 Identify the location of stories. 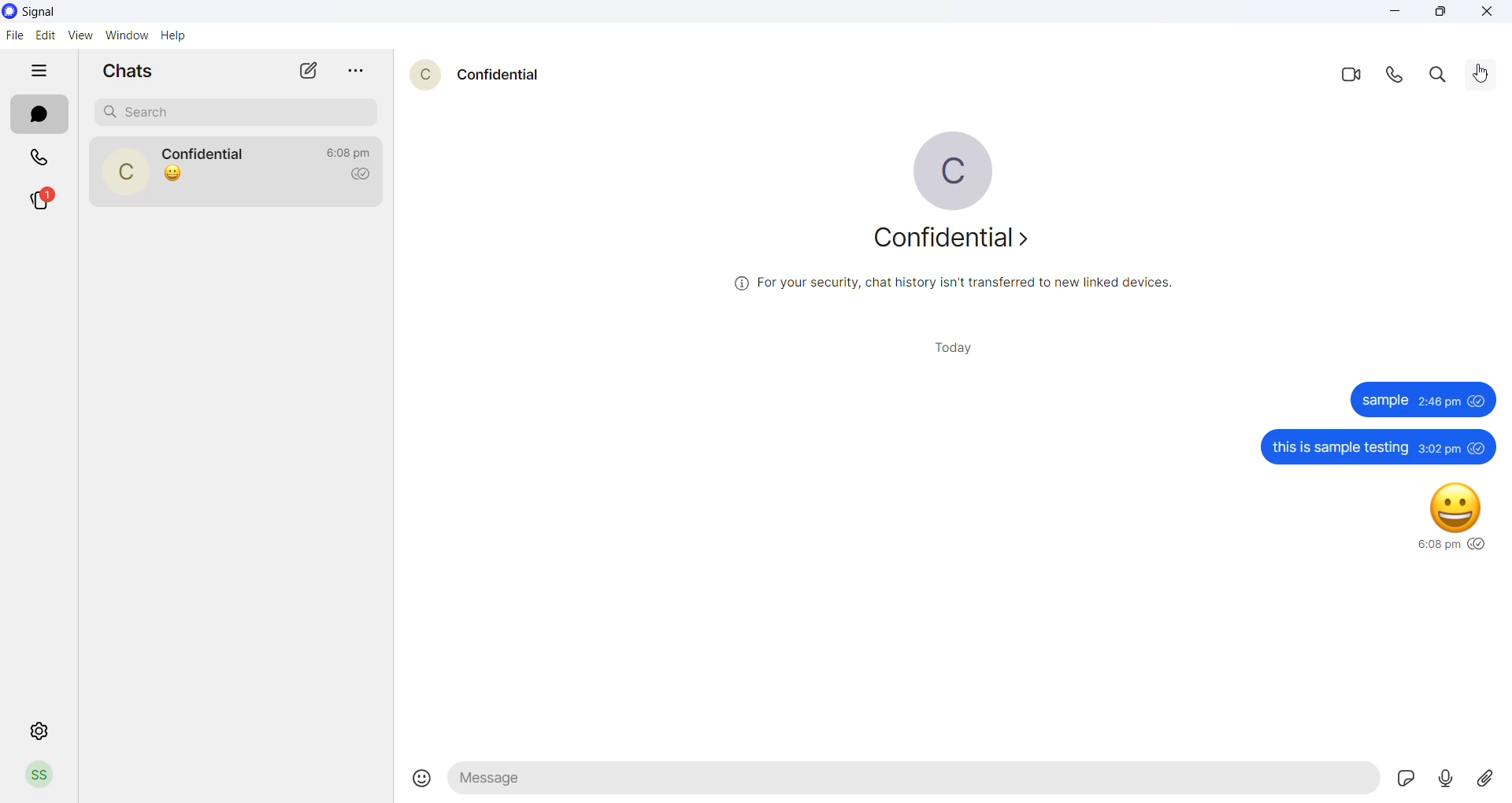
(44, 198).